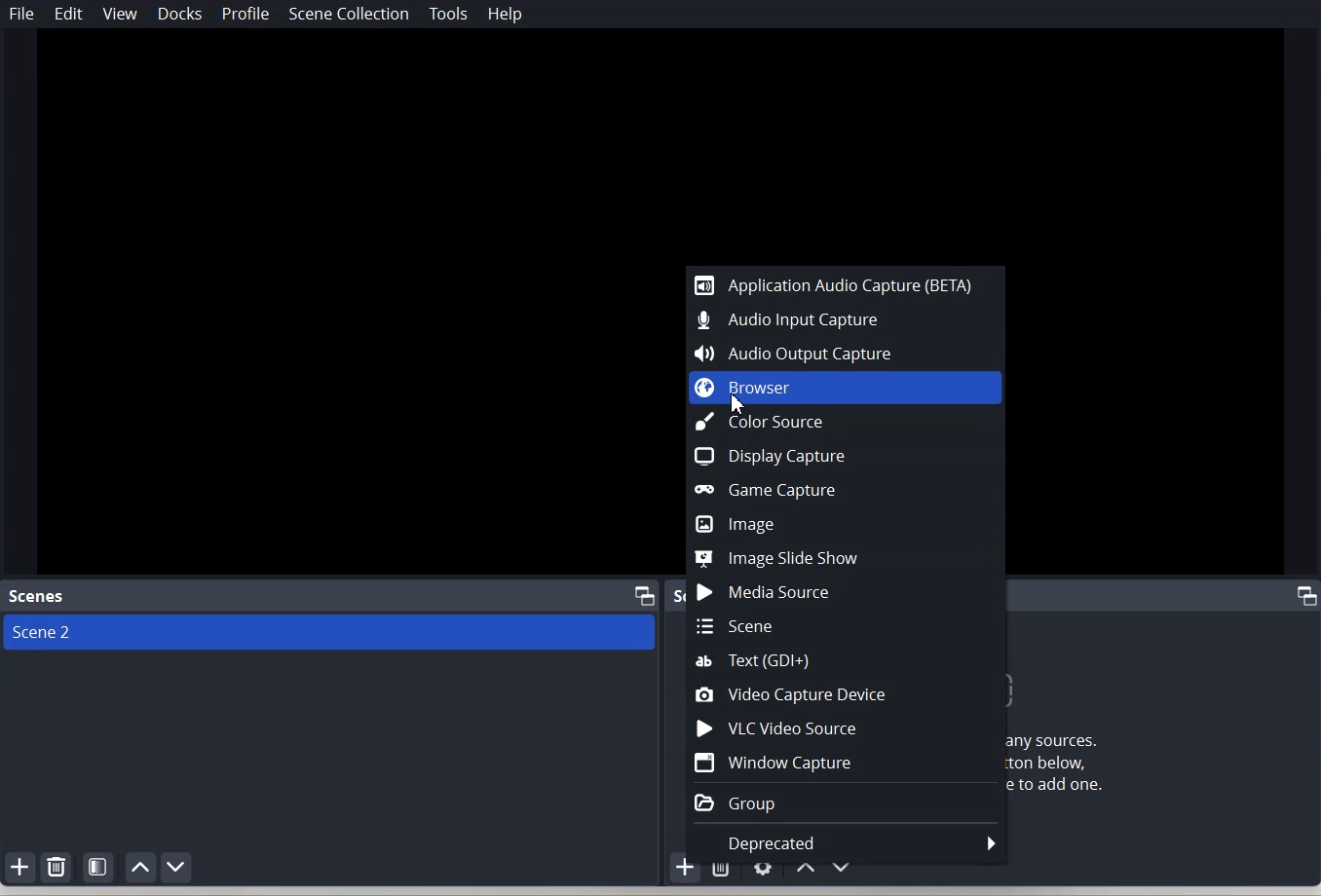 This screenshot has width=1321, height=896. Describe the element at coordinates (846, 321) in the screenshot. I see `Audio Input Capture` at that location.